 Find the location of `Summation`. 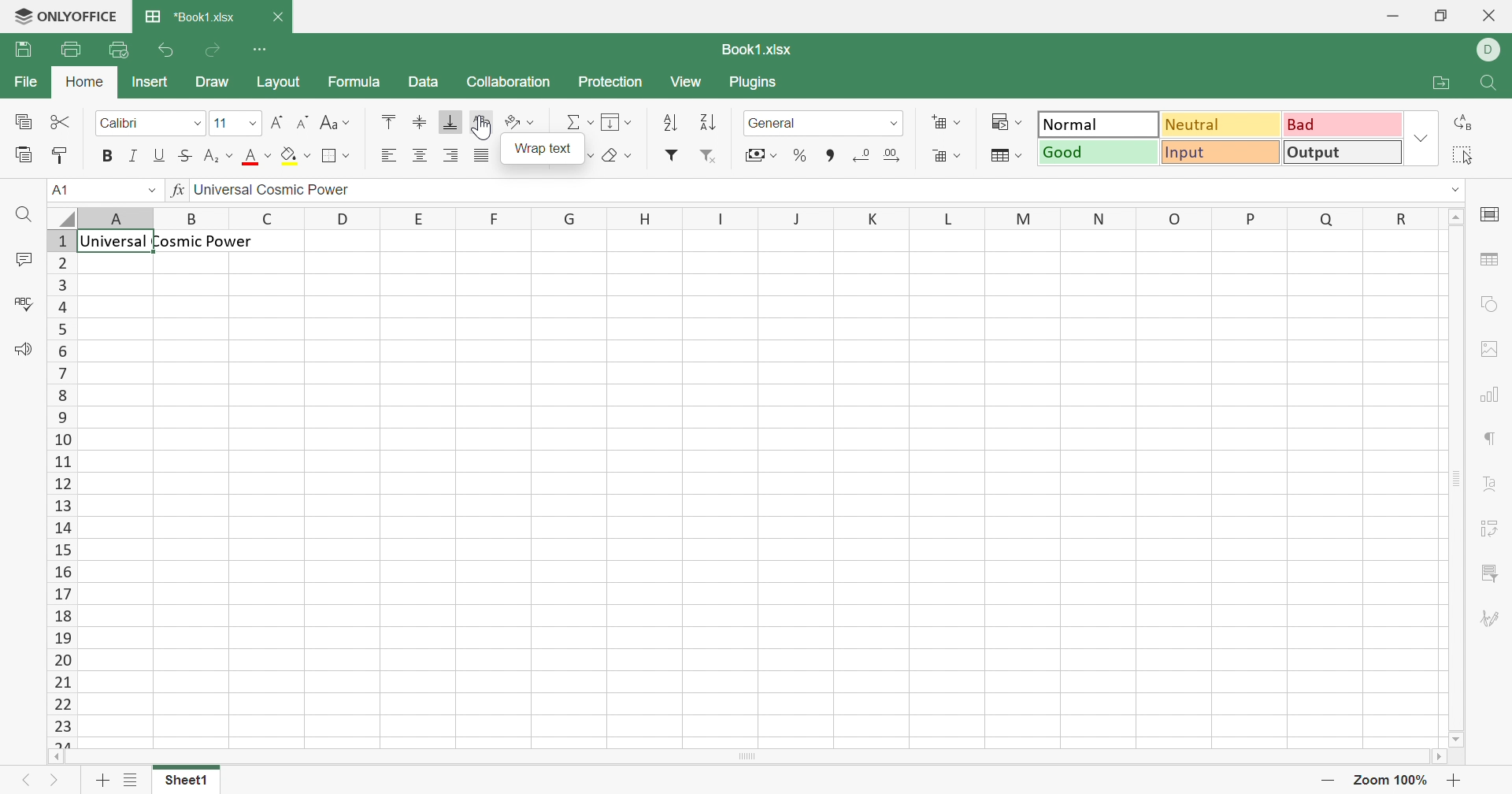

Summation is located at coordinates (579, 122).